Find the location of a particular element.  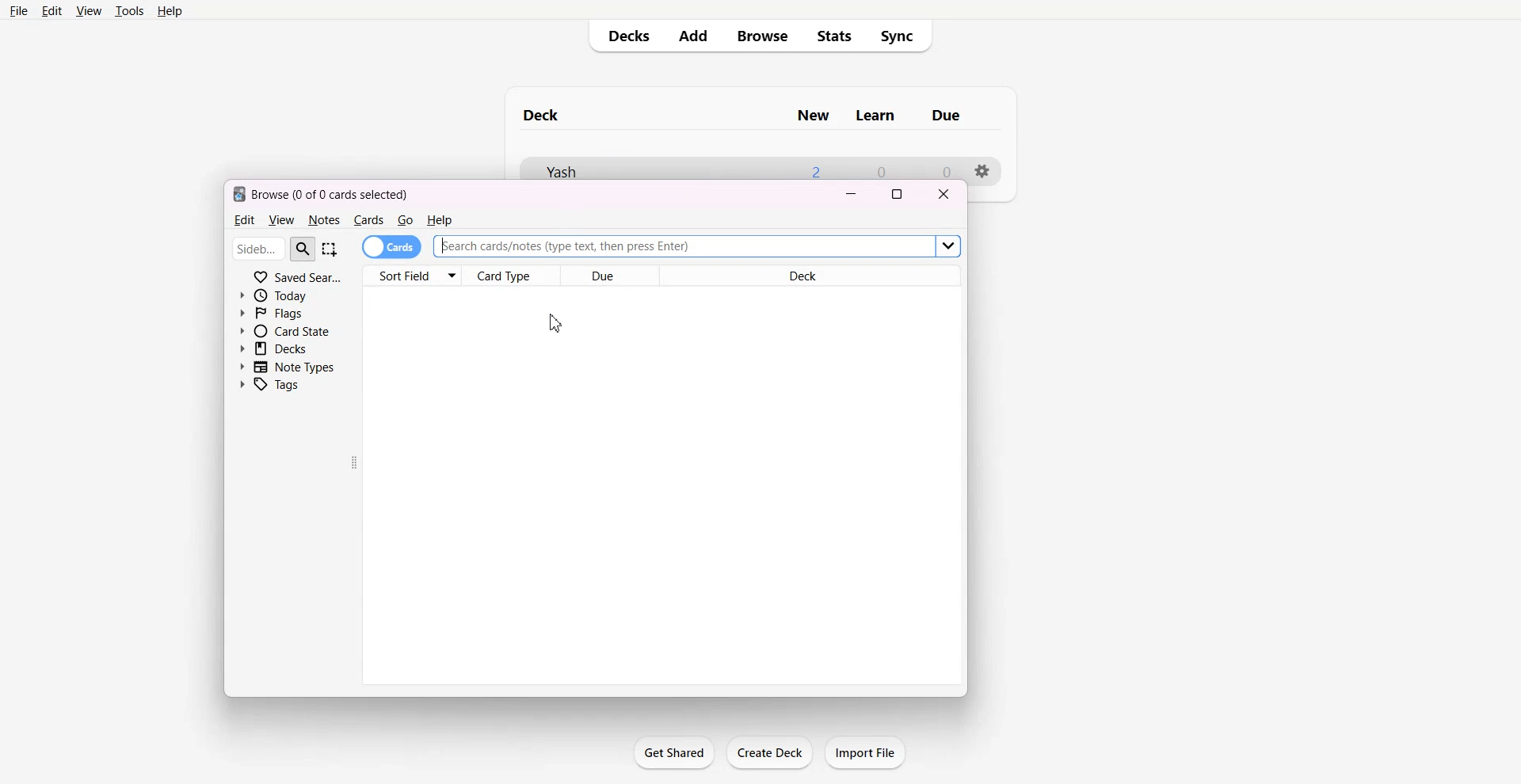

Settings is located at coordinates (989, 168).